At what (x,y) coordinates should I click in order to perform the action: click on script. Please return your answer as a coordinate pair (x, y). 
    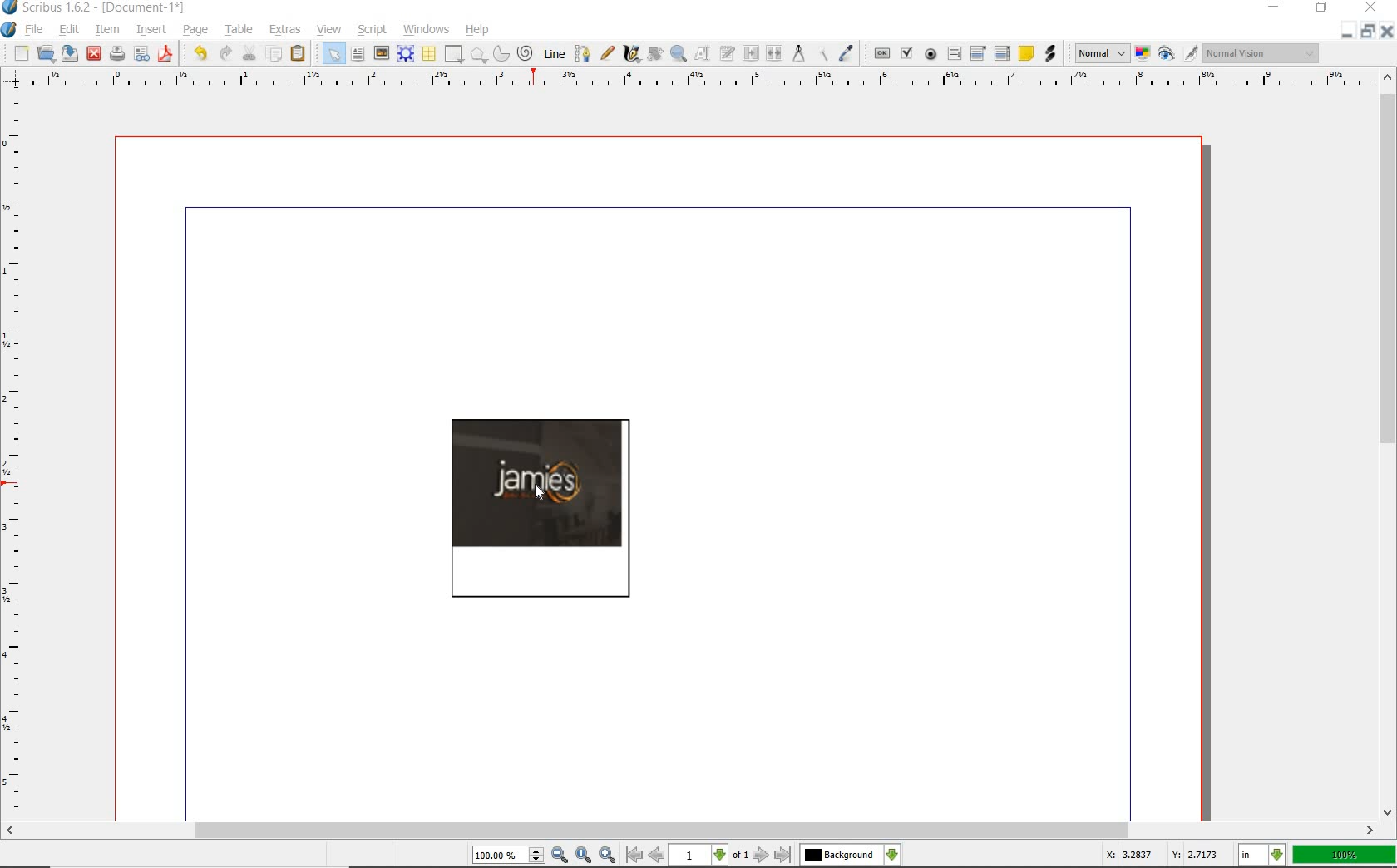
    Looking at the image, I should click on (372, 29).